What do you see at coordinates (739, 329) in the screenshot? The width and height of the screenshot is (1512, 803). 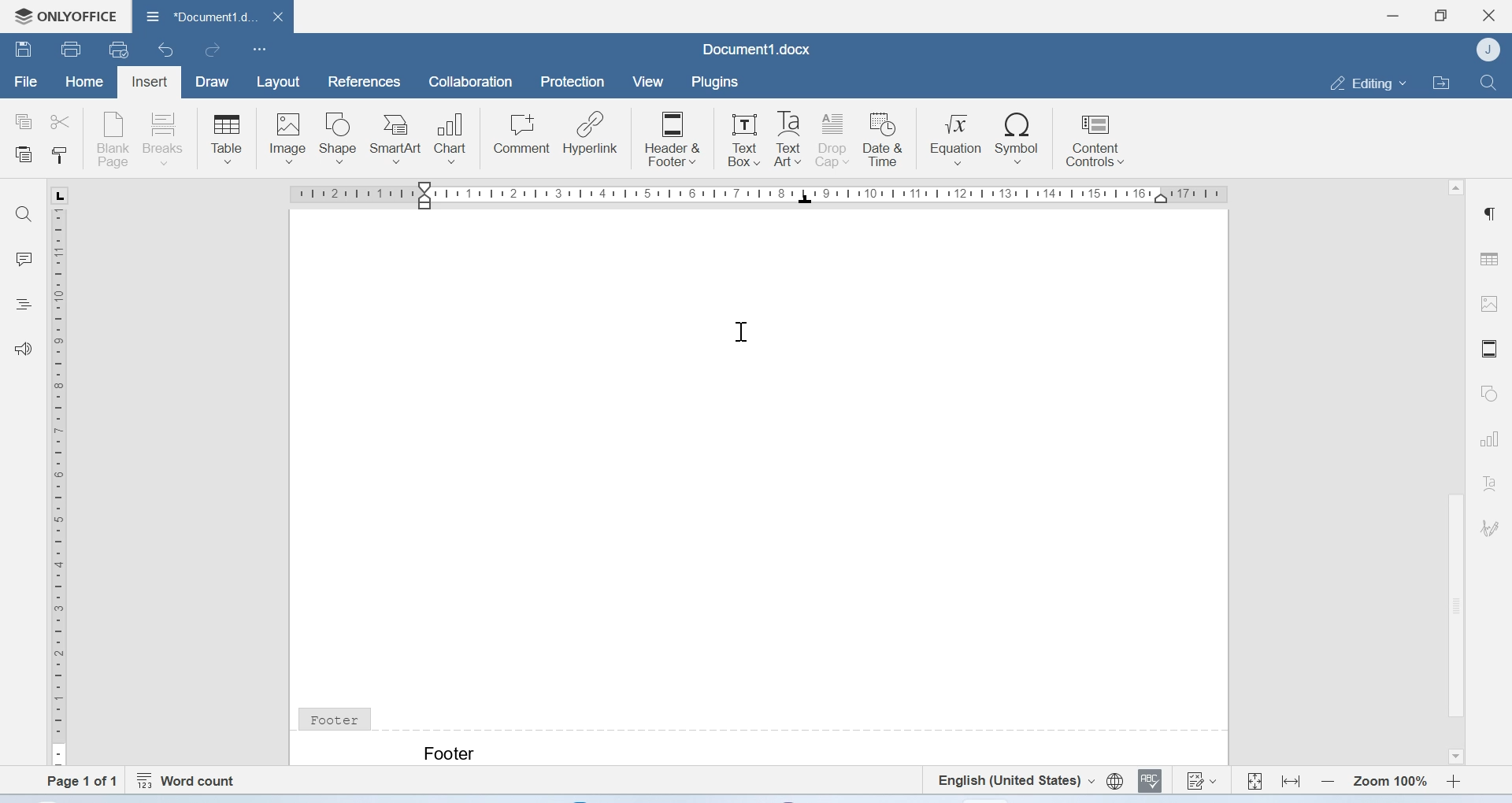 I see `Cursor` at bounding box center [739, 329].